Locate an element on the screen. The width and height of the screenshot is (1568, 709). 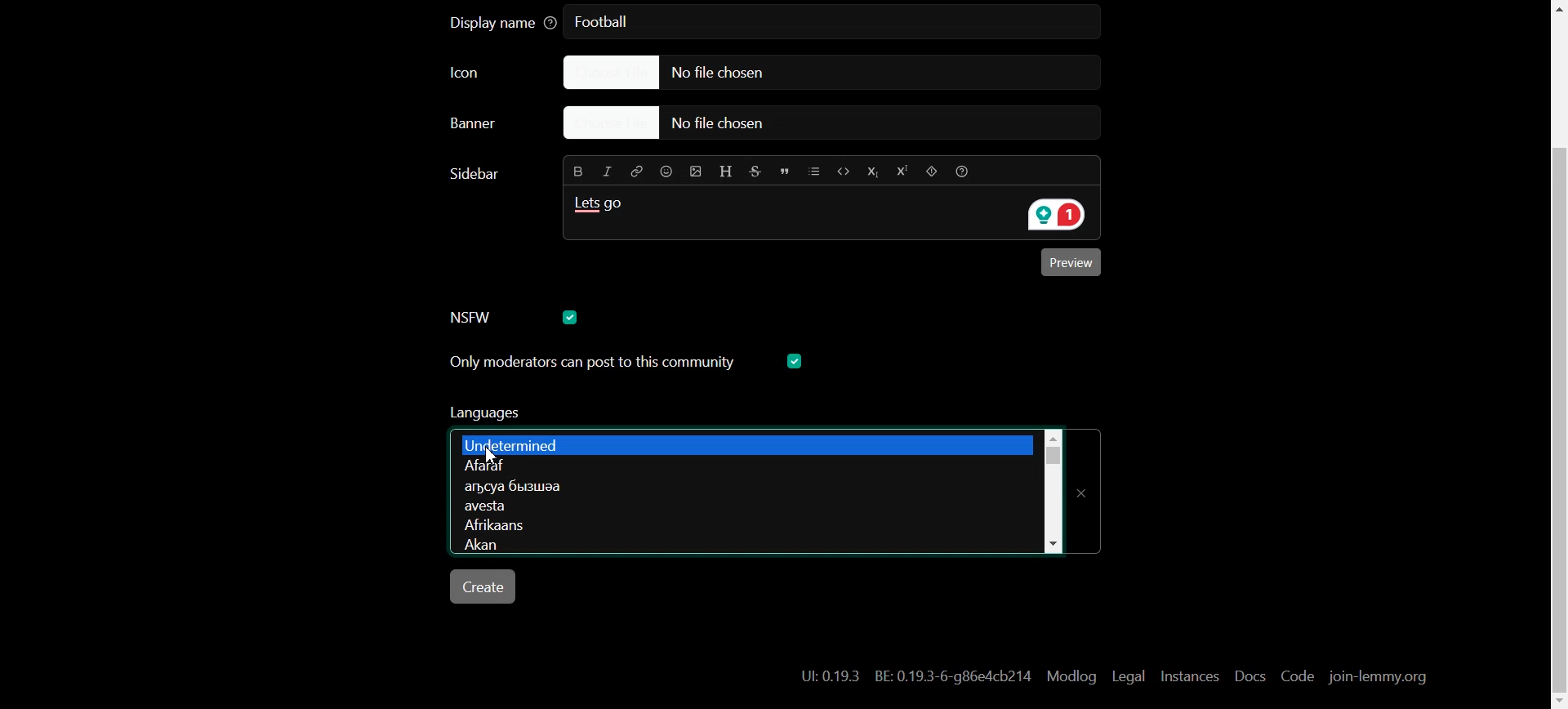
Code is located at coordinates (1296, 677).